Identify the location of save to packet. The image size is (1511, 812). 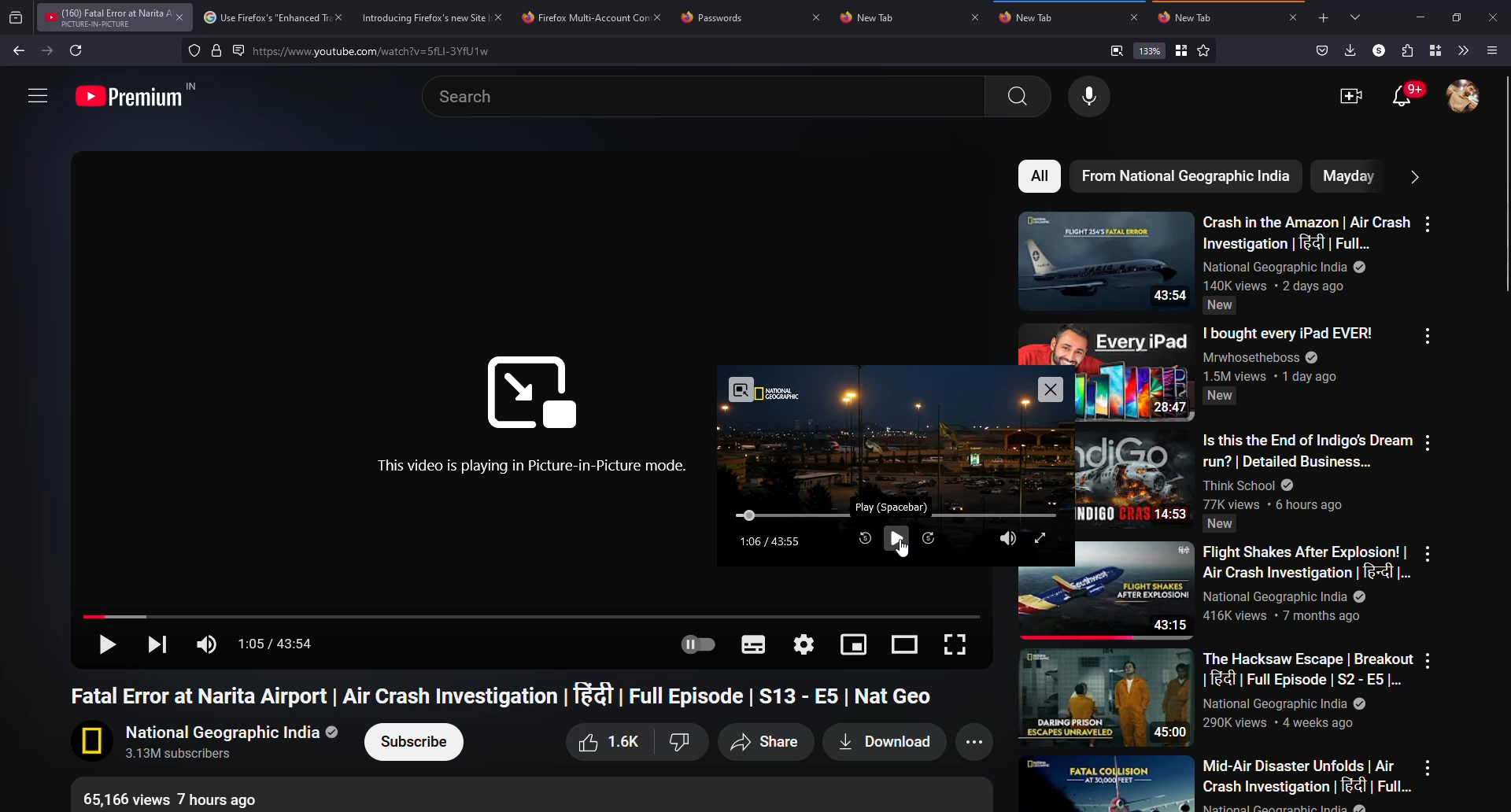
(1320, 50).